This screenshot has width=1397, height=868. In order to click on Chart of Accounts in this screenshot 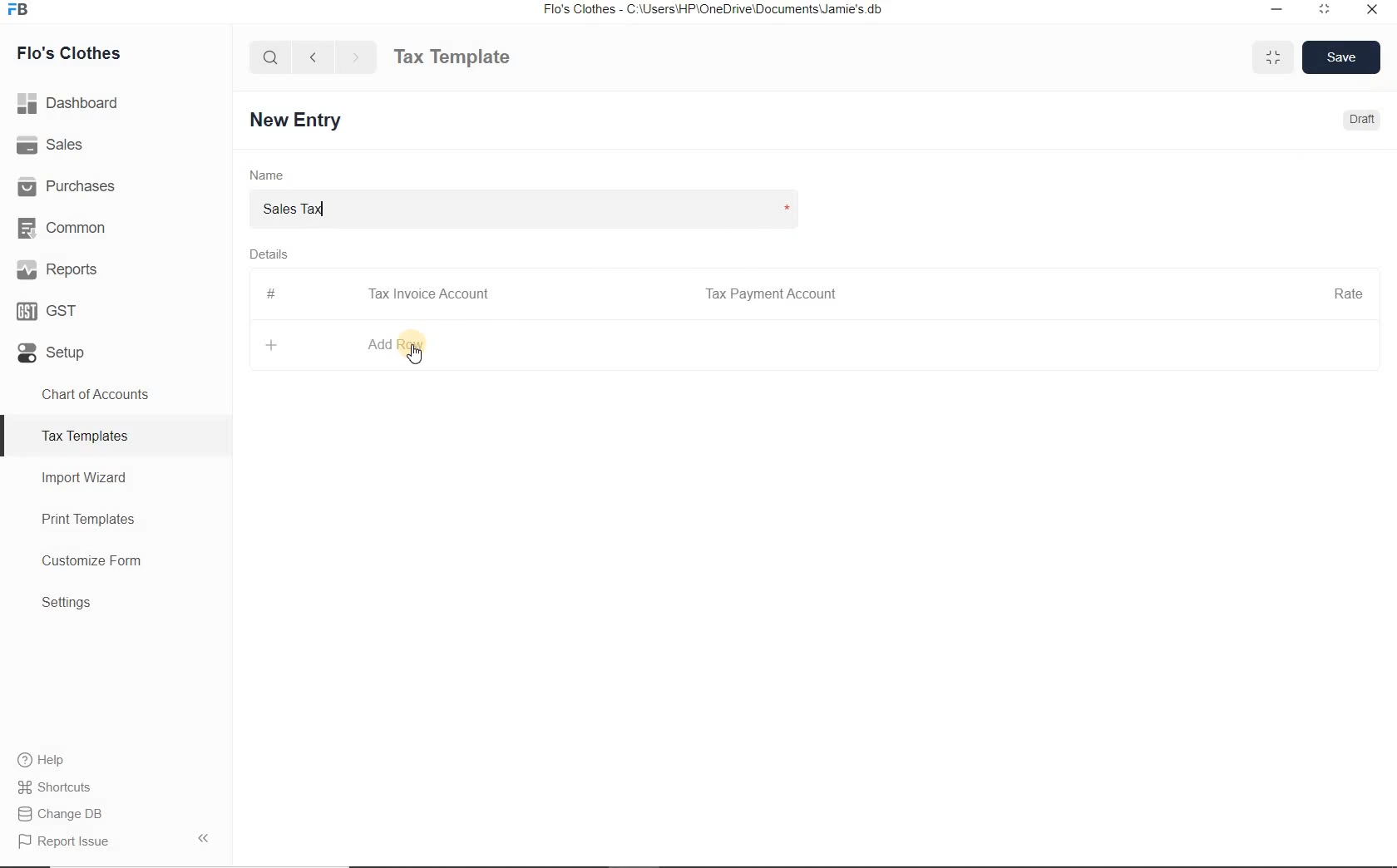, I will do `click(115, 394)`.